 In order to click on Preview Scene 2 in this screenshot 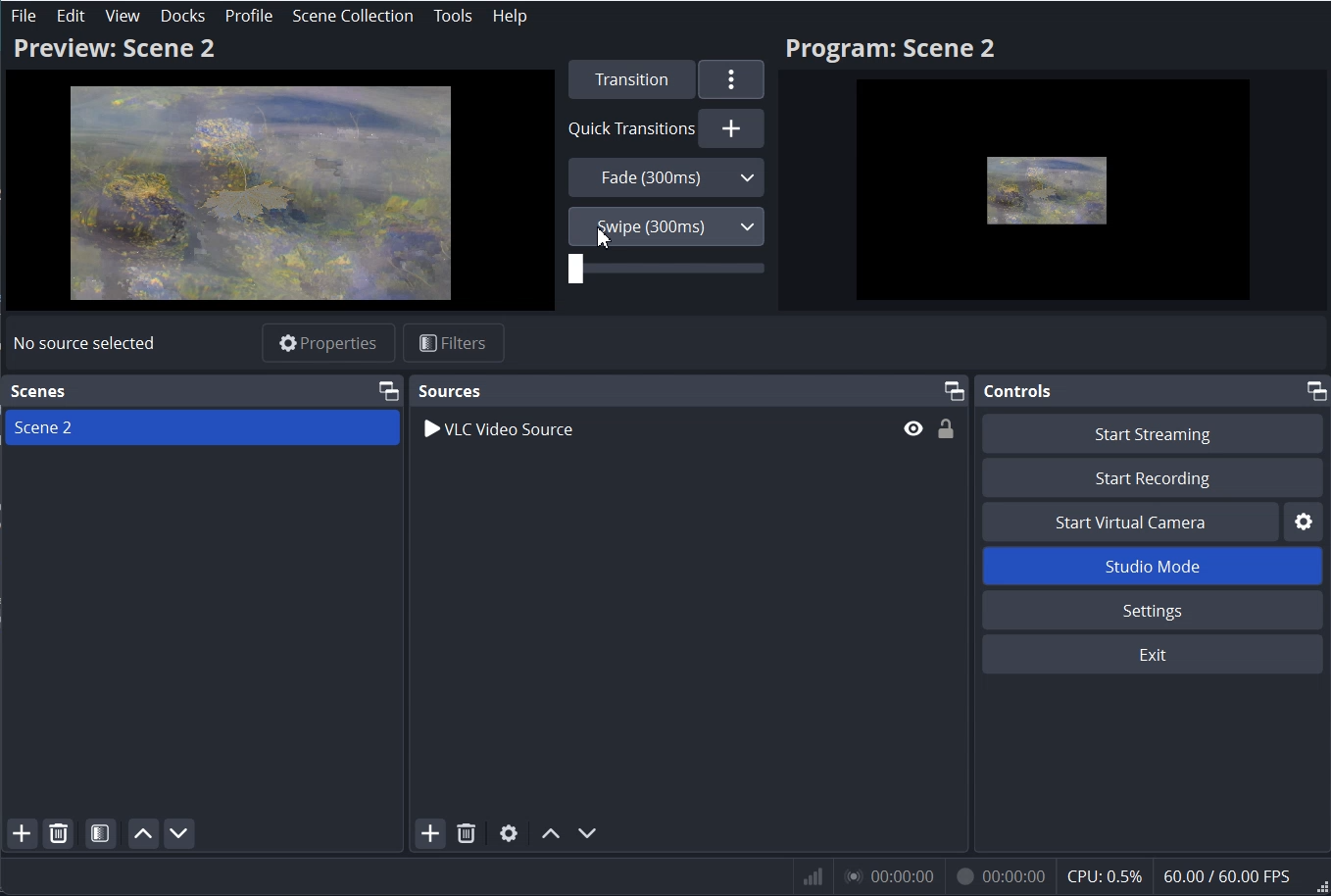, I will do `click(278, 172)`.